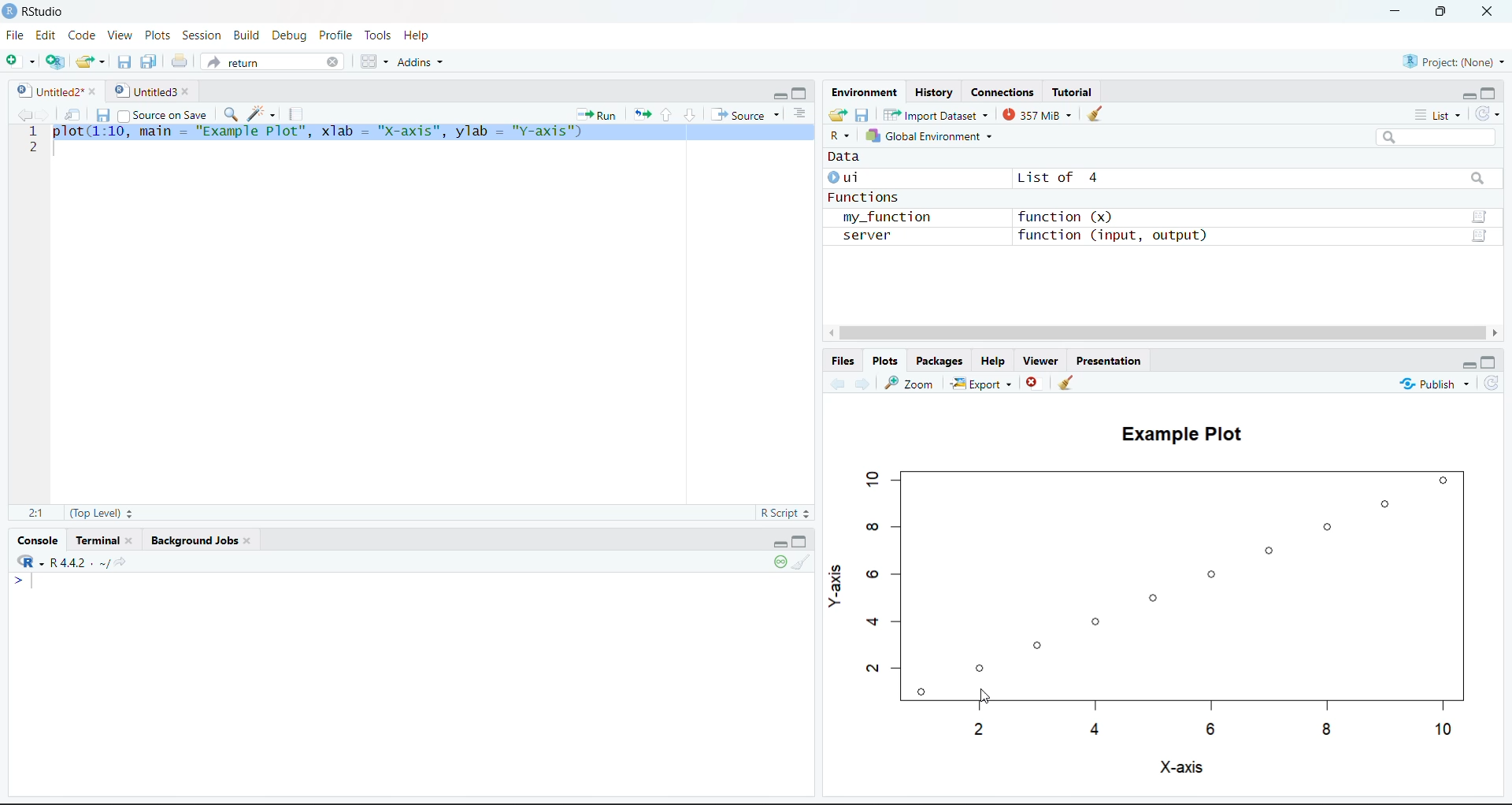 Image resolution: width=1512 pixels, height=805 pixels. I want to click on Coordinates, so click(1004, 91).